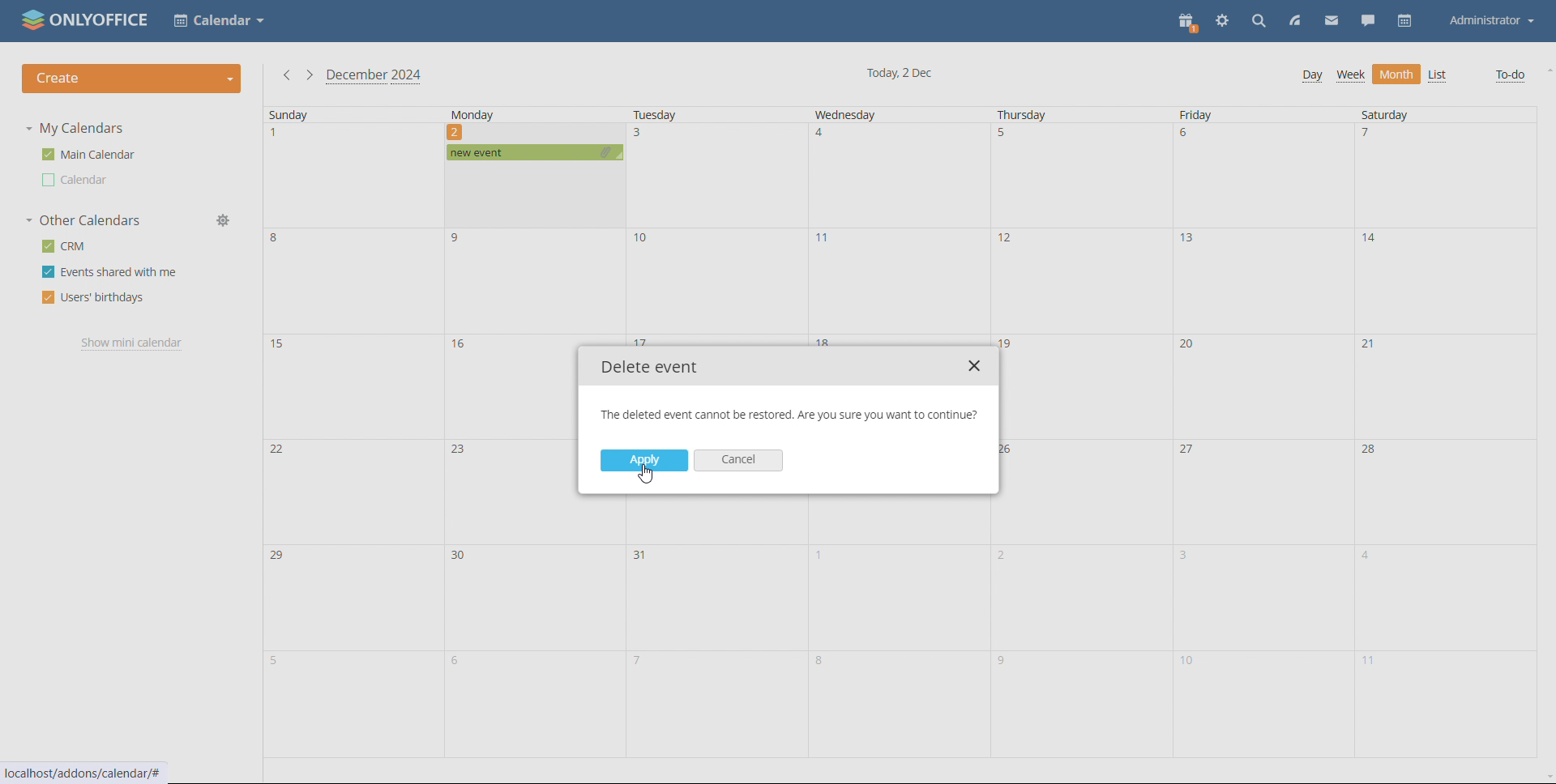 The width and height of the screenshot is (1556, 784). Describe the element at coordinates (1002, 558) in the screenshot. I see `2` at that location.